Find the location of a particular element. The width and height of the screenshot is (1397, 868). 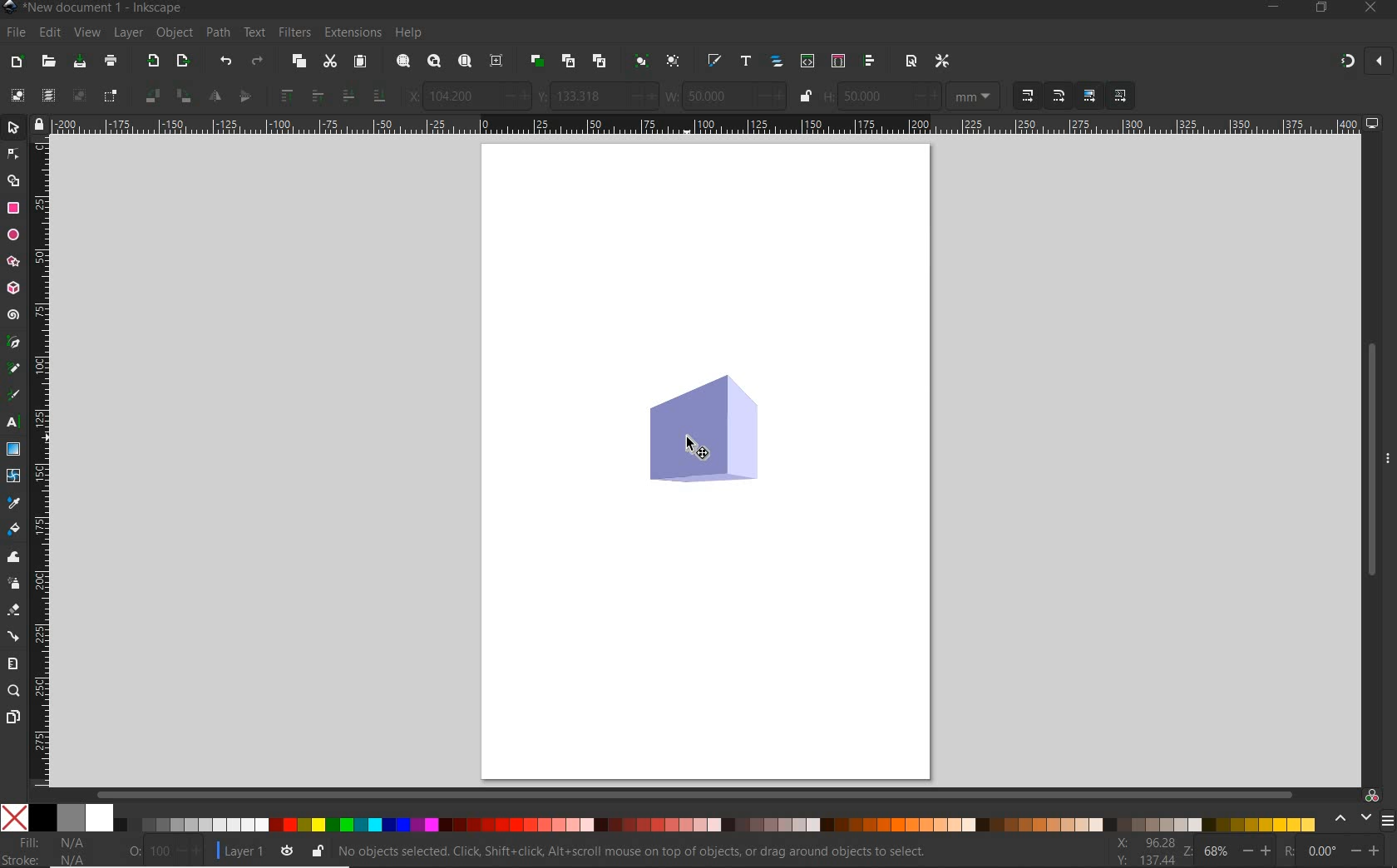

menu is located at coordinates (1388, 821).